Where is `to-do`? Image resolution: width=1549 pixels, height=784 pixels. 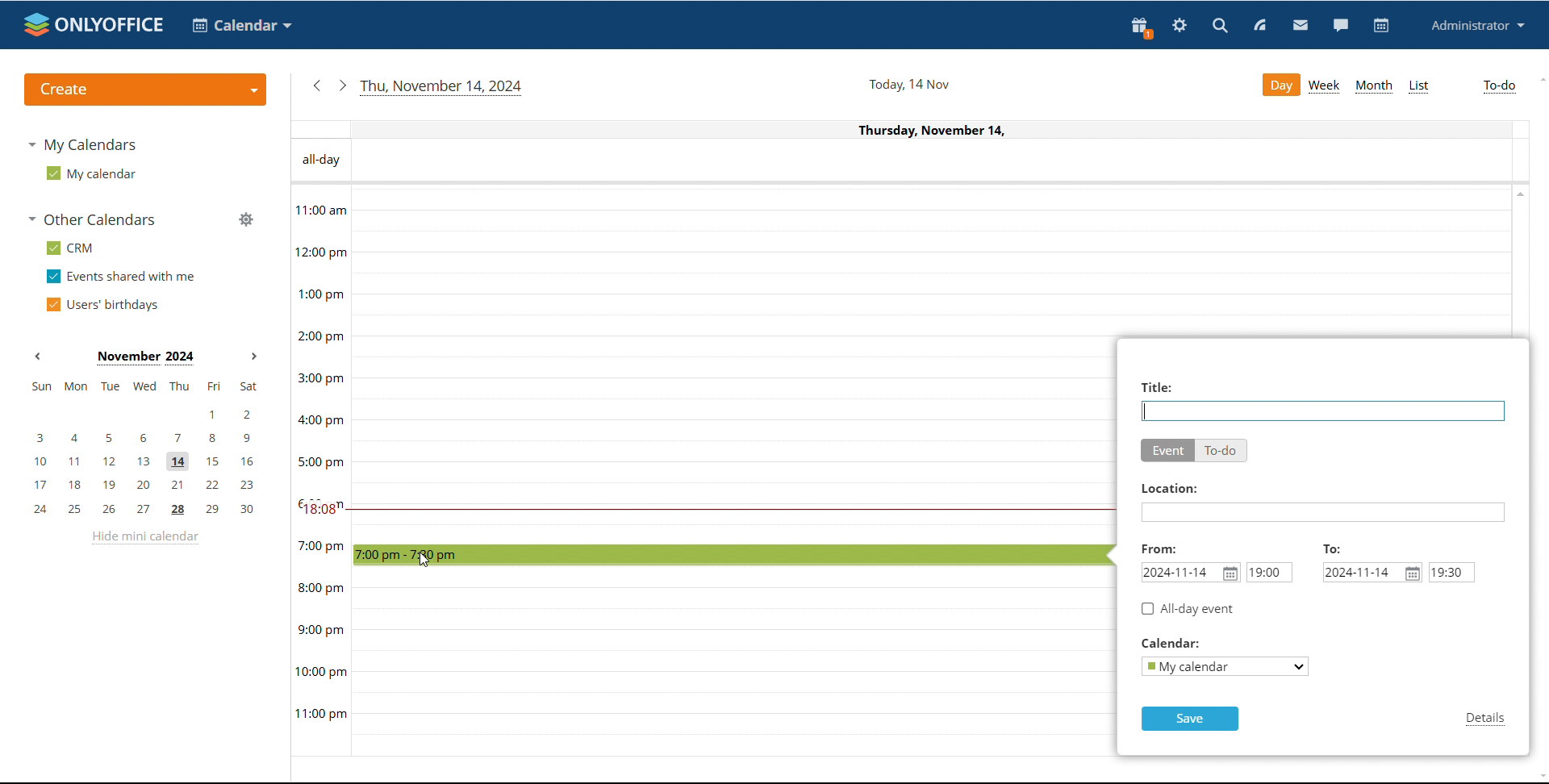
to-do is located at coordinates (1223, 450).